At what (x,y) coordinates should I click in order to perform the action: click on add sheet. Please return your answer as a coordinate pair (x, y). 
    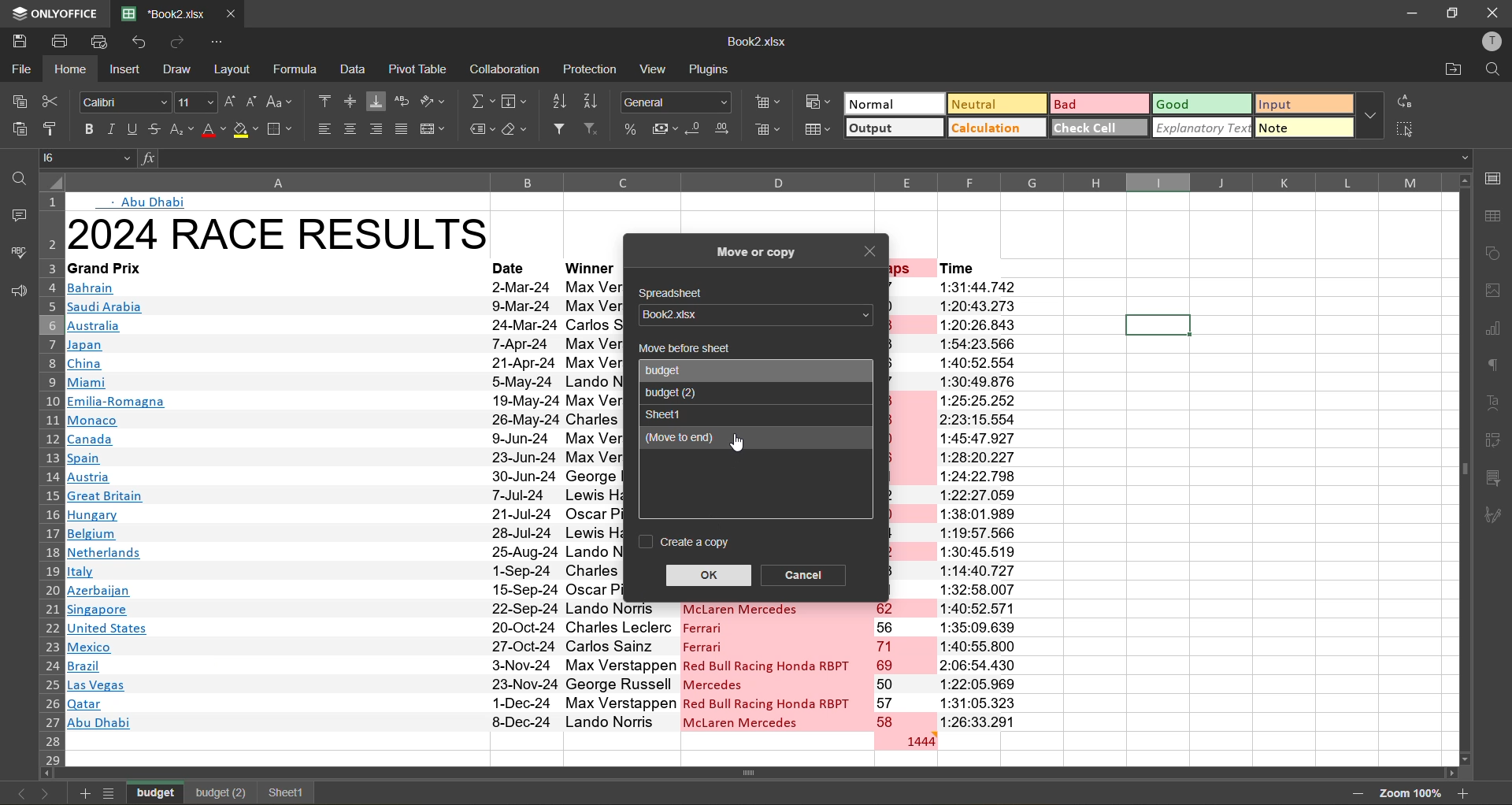
    Looking at the image, I should click on (82, 793).